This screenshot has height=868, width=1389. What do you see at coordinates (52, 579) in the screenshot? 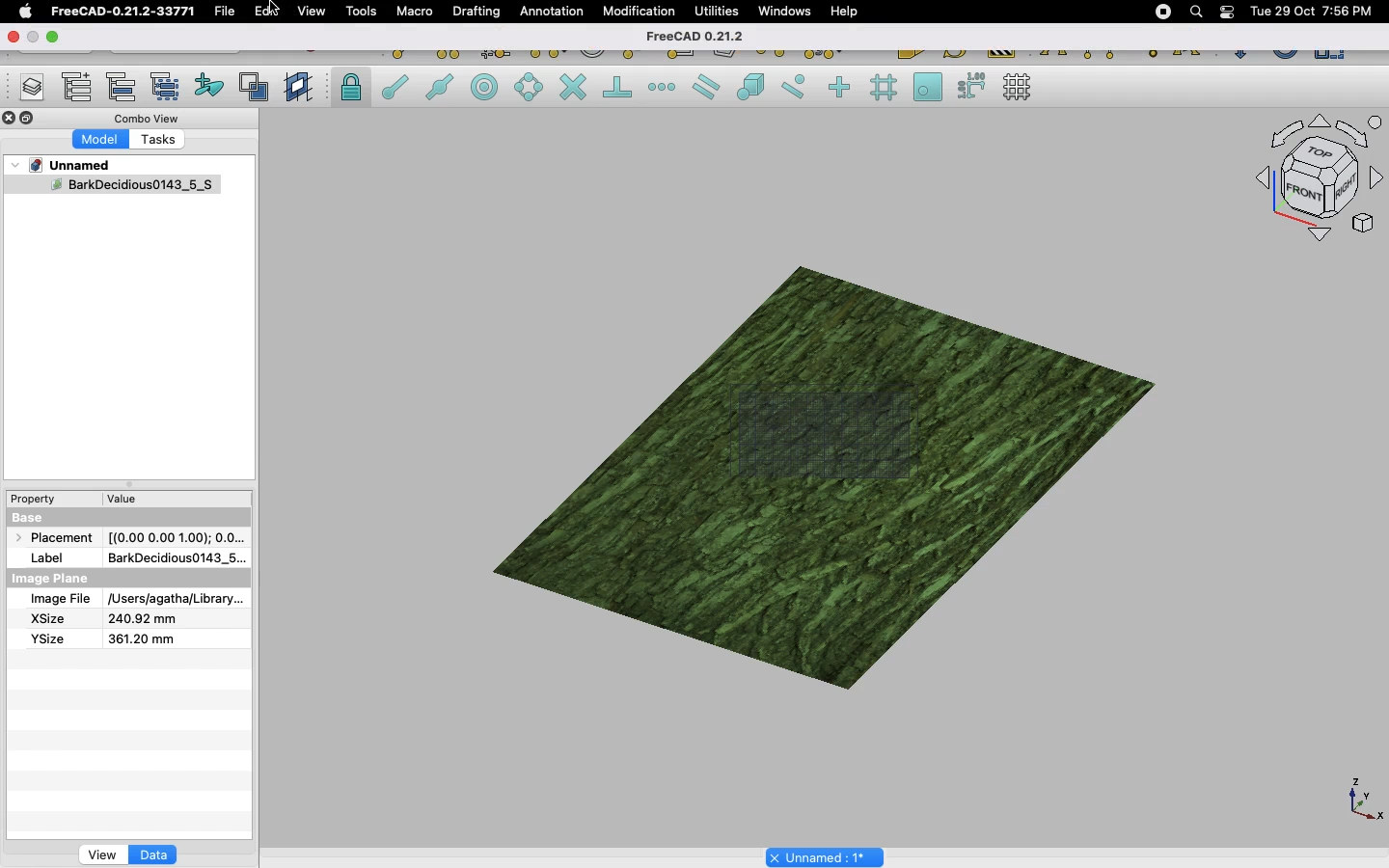
I see `Image Plane` at bounding box center [52, 579].